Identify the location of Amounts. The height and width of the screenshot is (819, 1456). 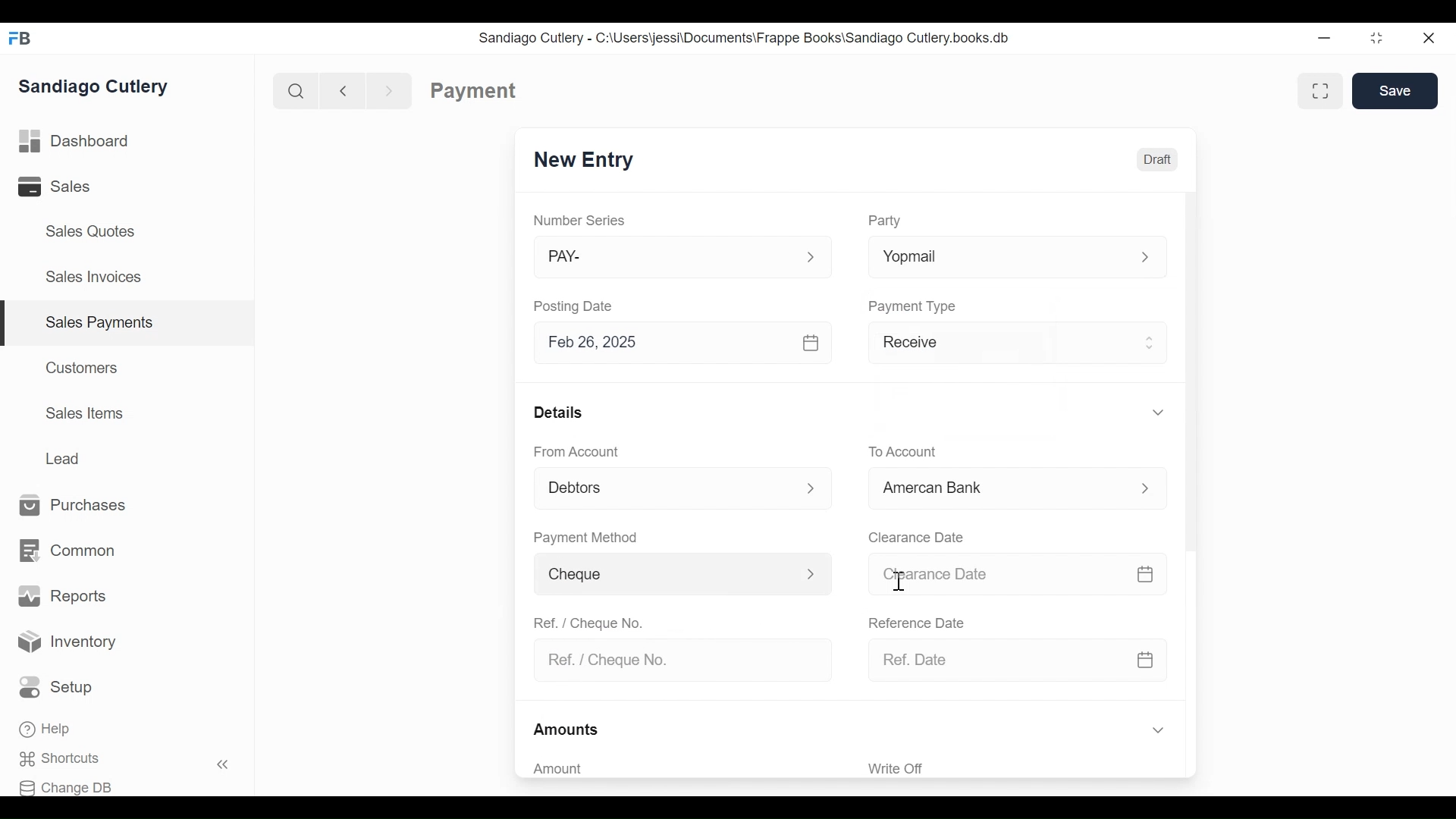
(567, 730).